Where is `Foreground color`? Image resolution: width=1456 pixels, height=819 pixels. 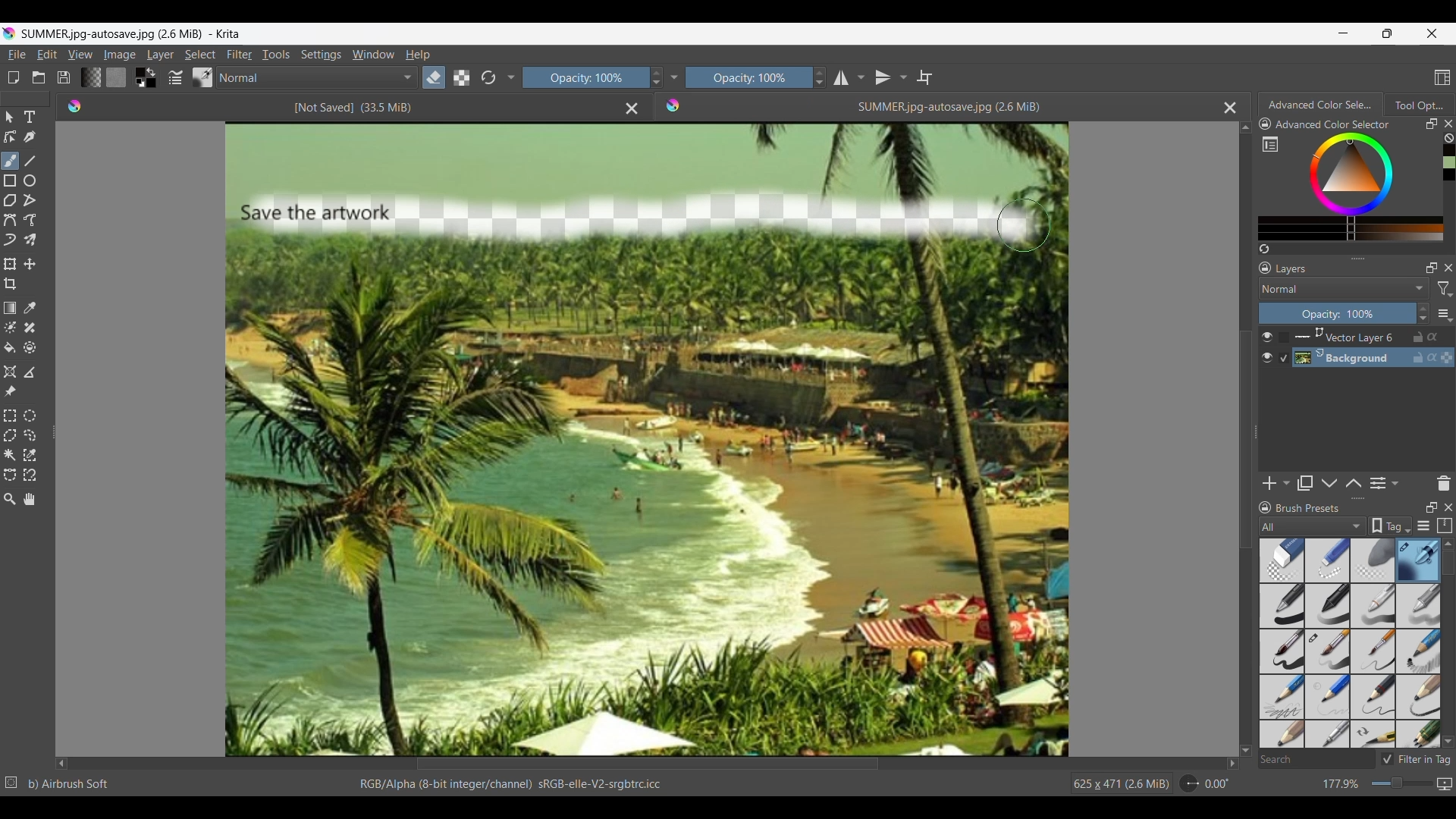 Foreground color is located at coordinates (137, 71).